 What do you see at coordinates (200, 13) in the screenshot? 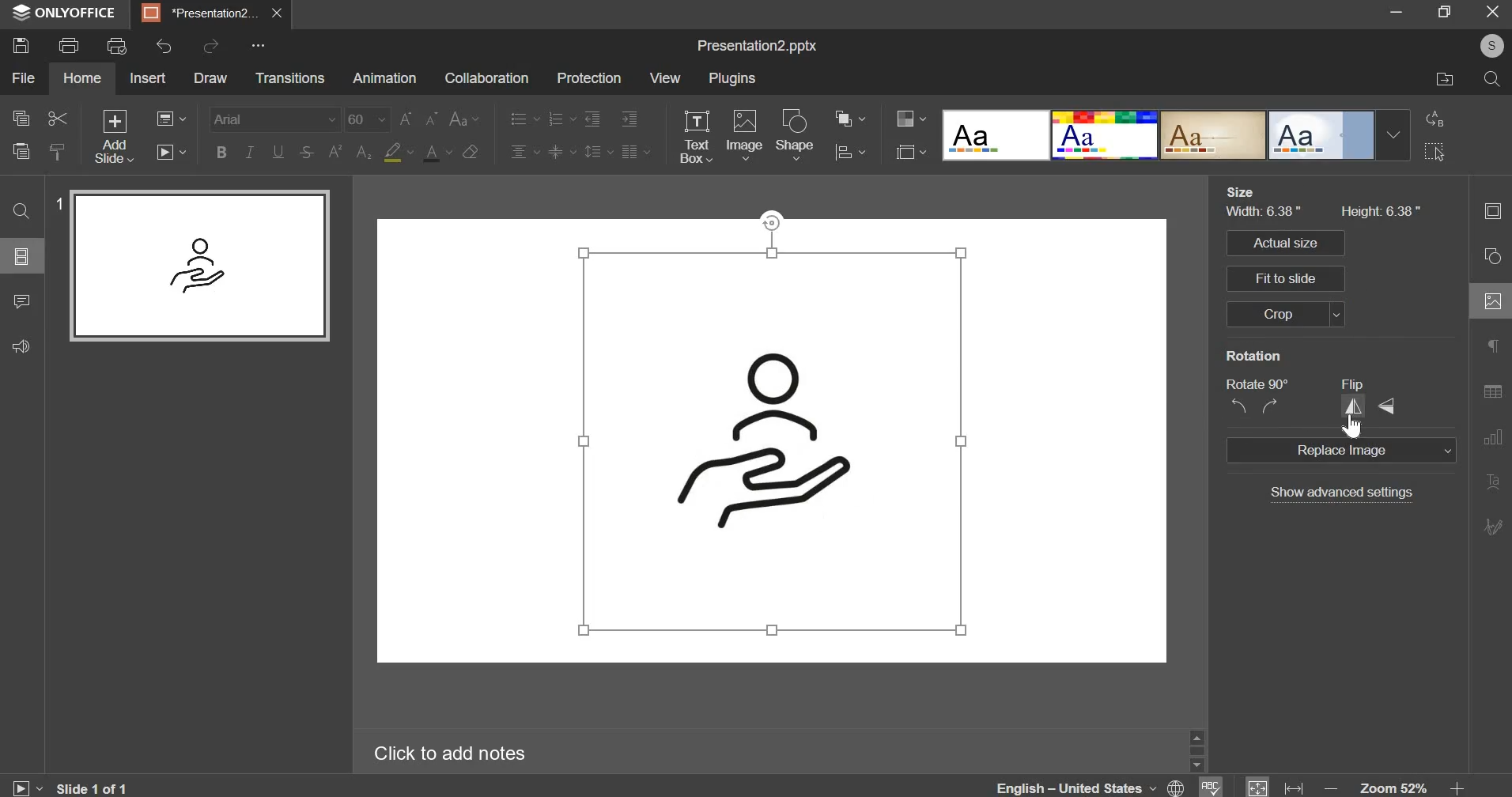
I see `Presentation2...` at bounding box center [200, 13].